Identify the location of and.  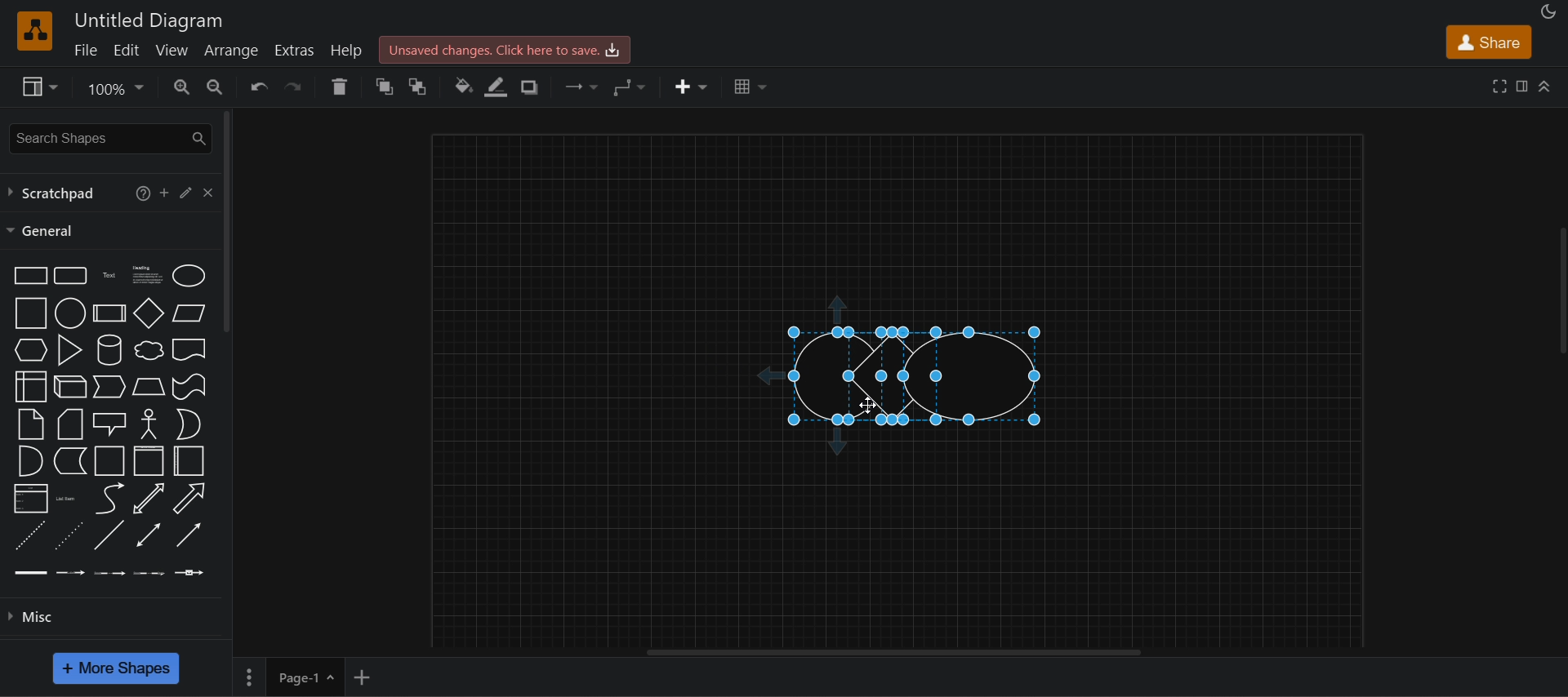
(29, 461).